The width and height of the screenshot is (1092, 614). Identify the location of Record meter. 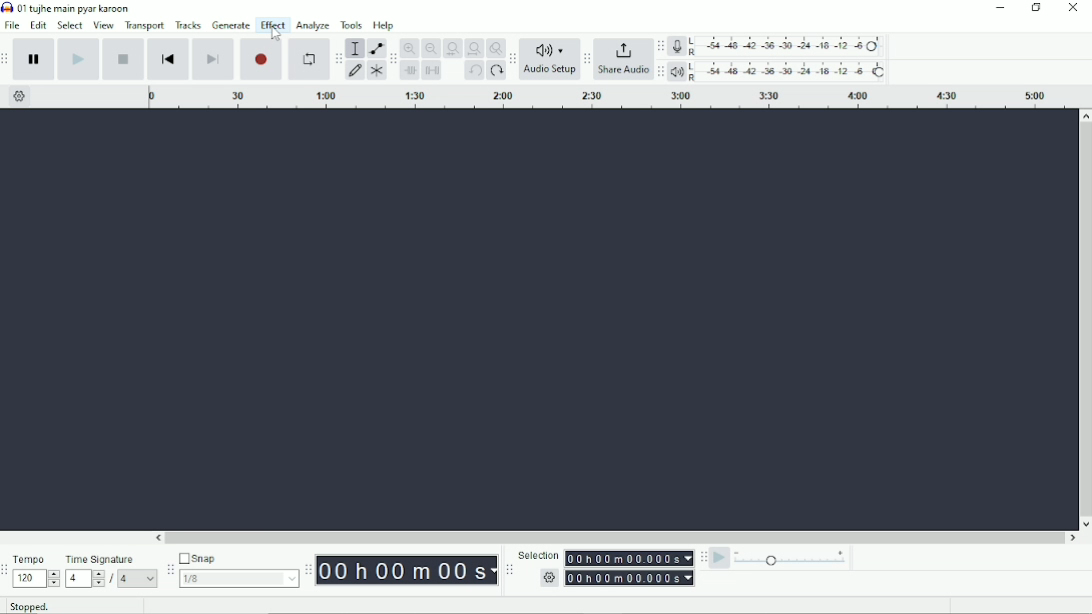
(779, 46).